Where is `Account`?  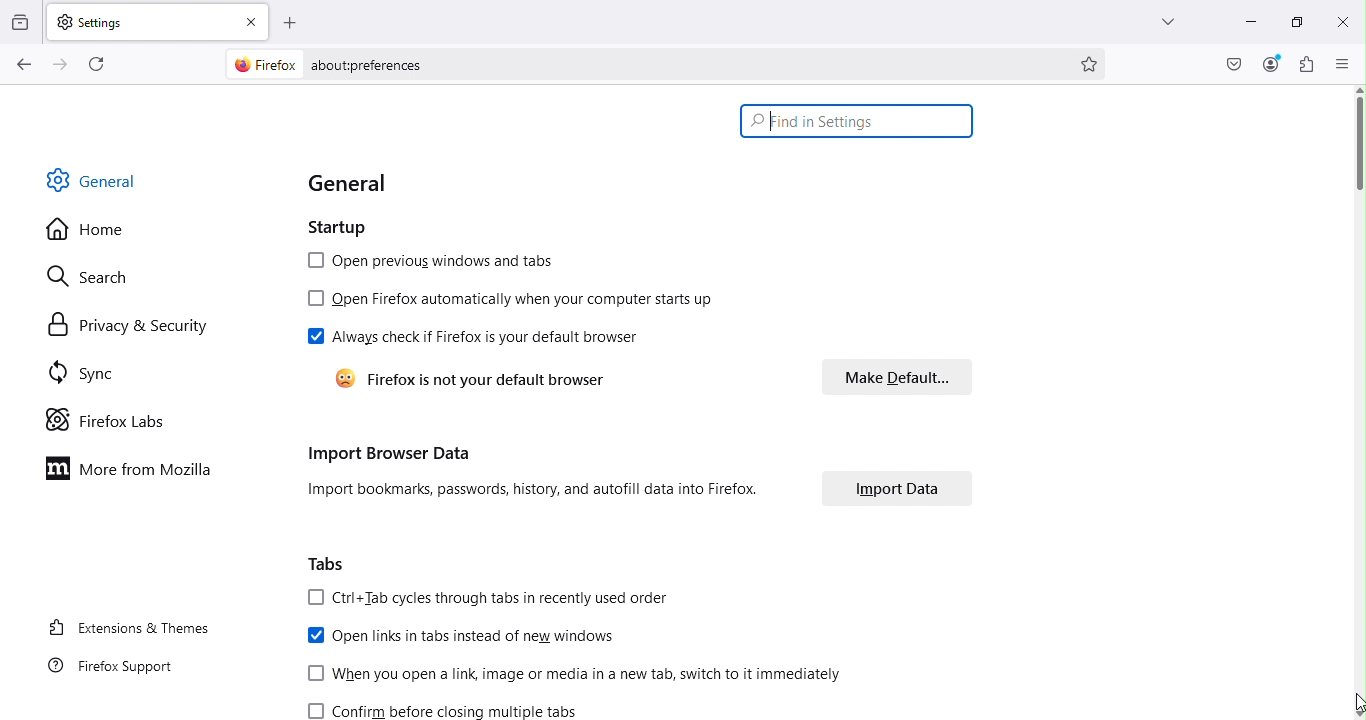 Account is located at coordinates (1273, 63).